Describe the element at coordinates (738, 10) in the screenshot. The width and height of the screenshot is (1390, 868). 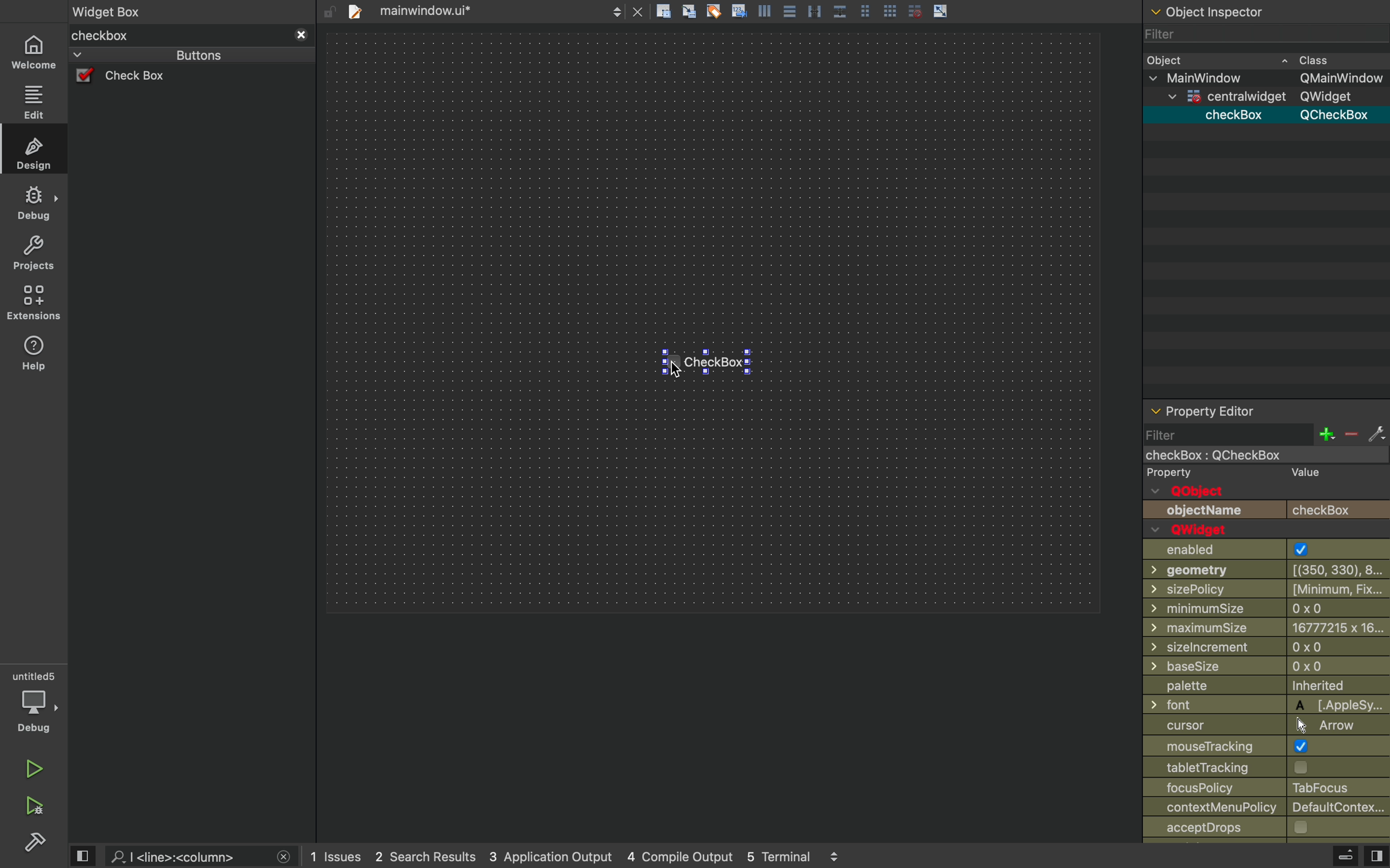
I see `insert text` at that location.